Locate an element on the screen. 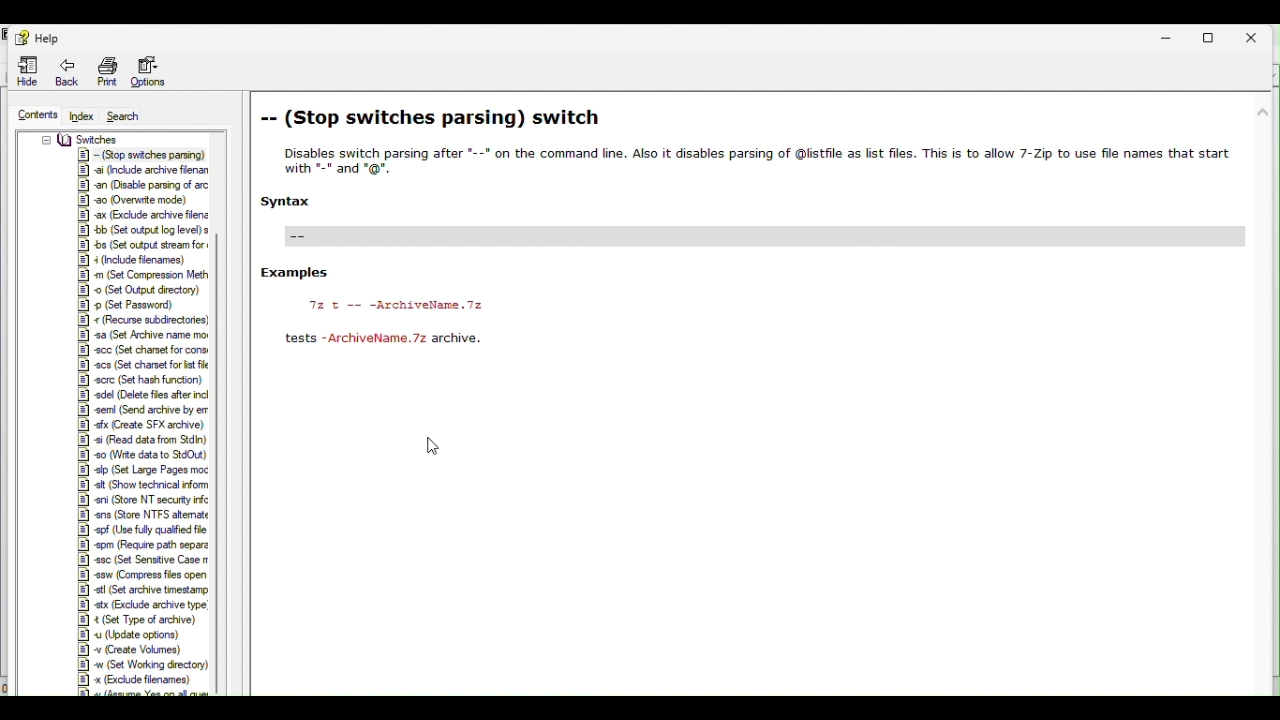  Stop switches is located at coordinates (759, 251).